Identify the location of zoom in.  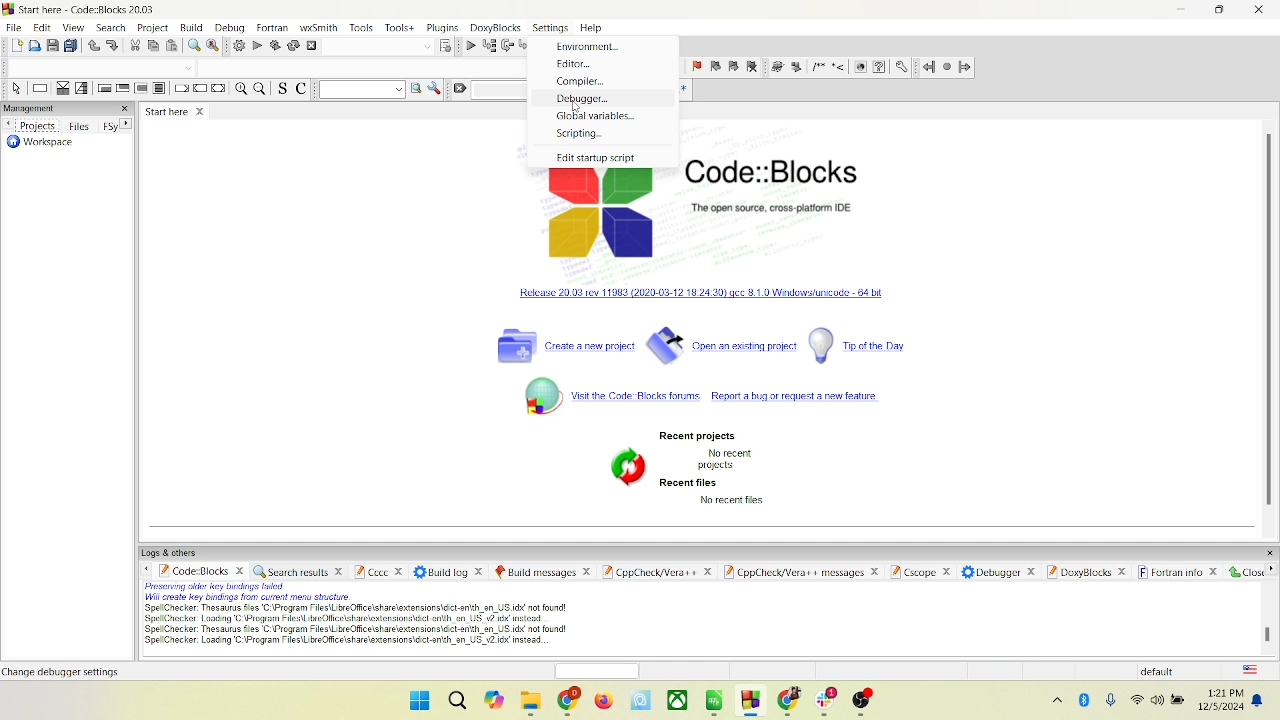
(241, 89).